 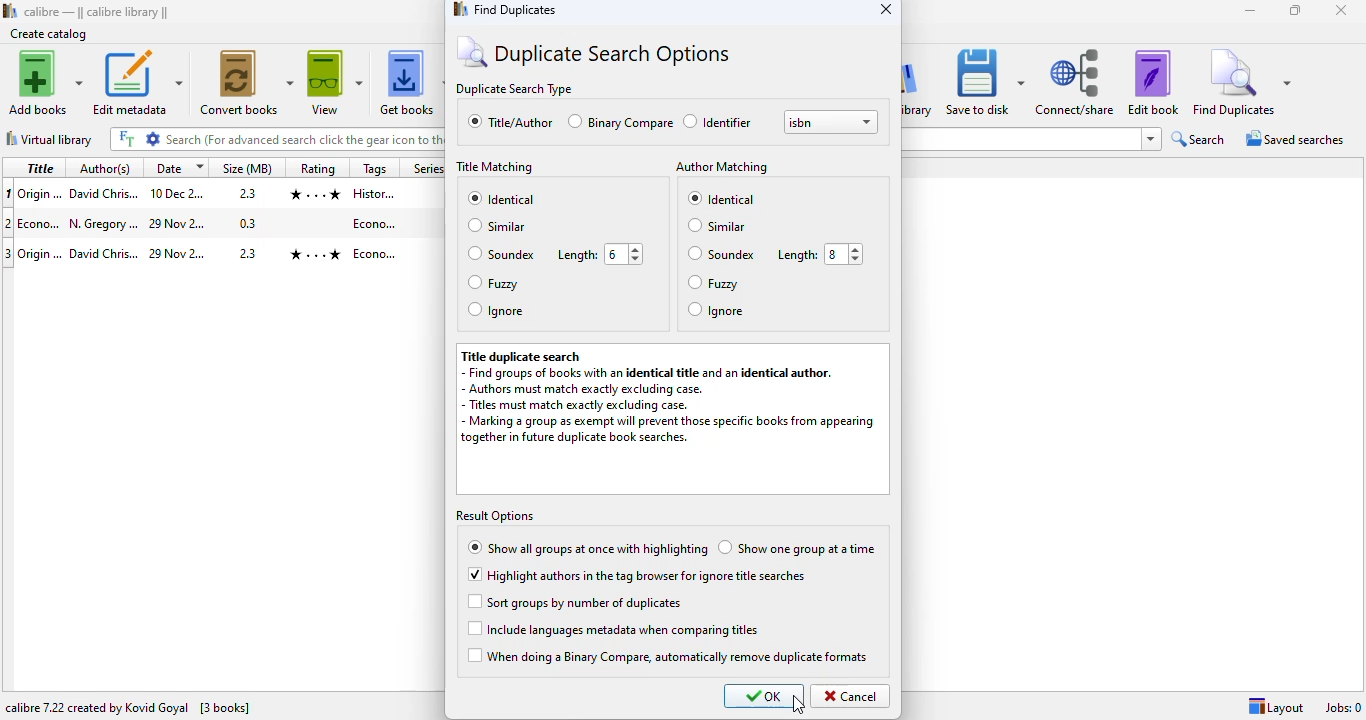 I want to click on include languages metadata when comparing titles, so click(x=614, y=628).